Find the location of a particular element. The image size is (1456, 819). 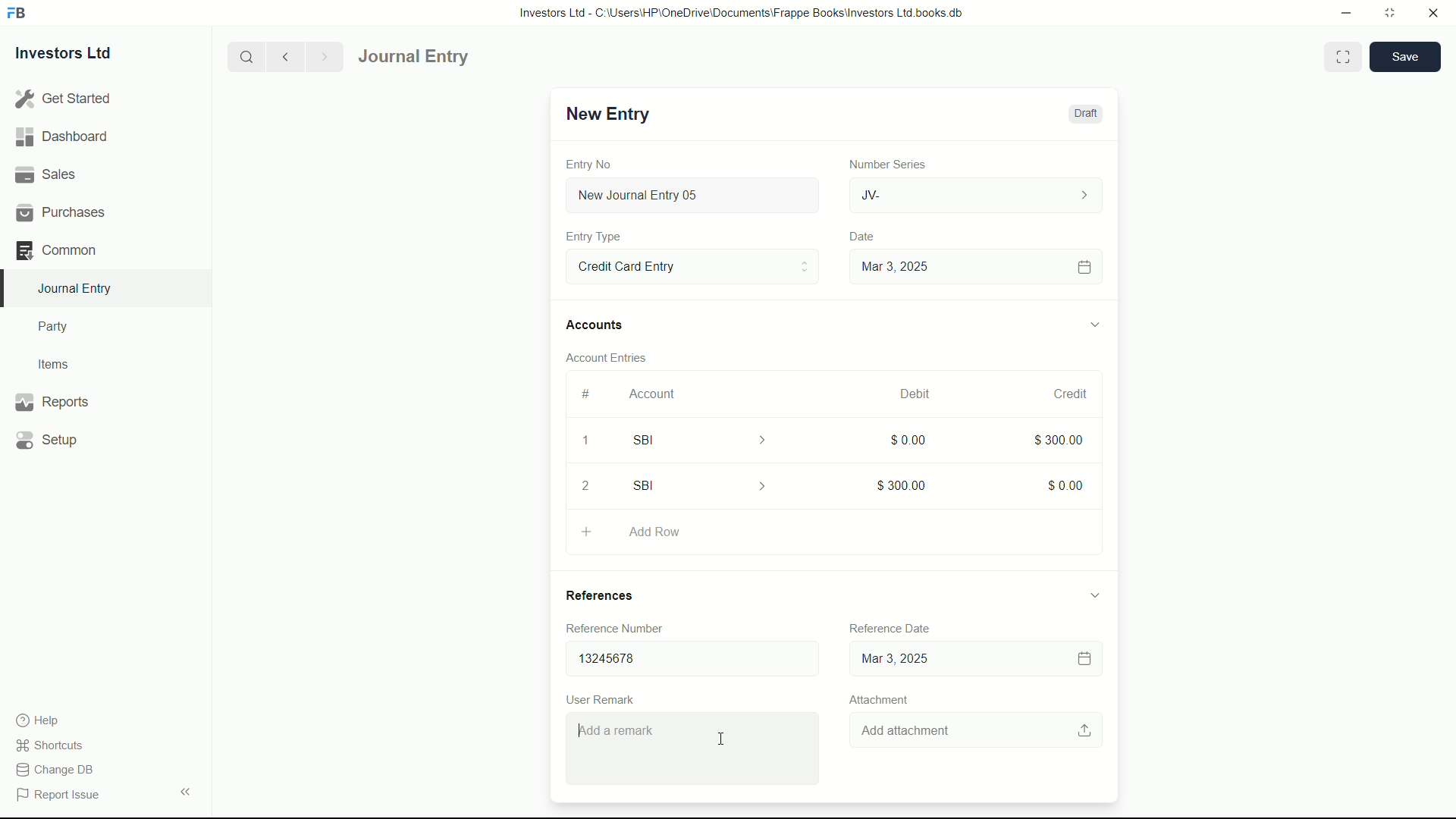

$300.00 is located at coordinates (902, 482).